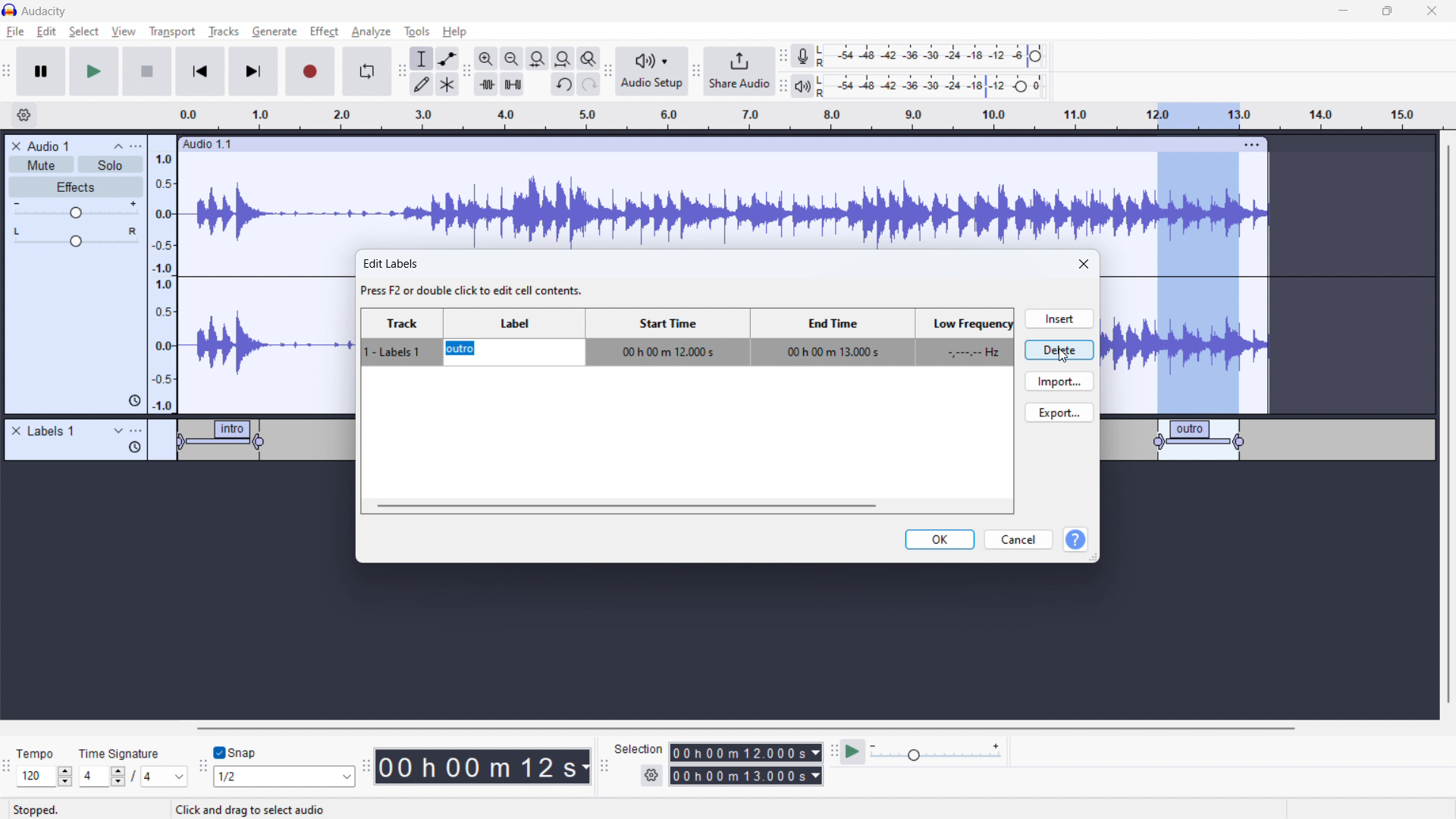 Image resolution: width=1456 pixels, height=819 pixels. I want to click on labels options, so click(136, 432).